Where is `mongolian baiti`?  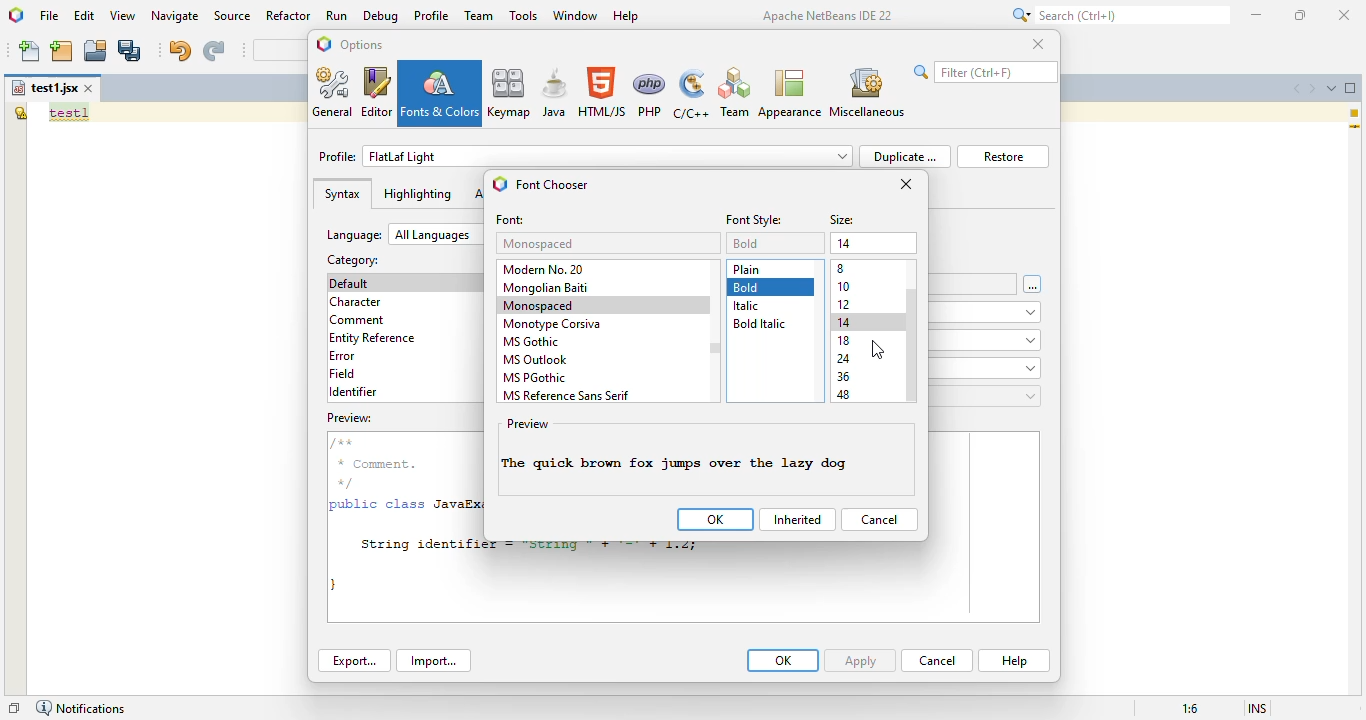 mongolian baiti is located at coordinates (546, 288).